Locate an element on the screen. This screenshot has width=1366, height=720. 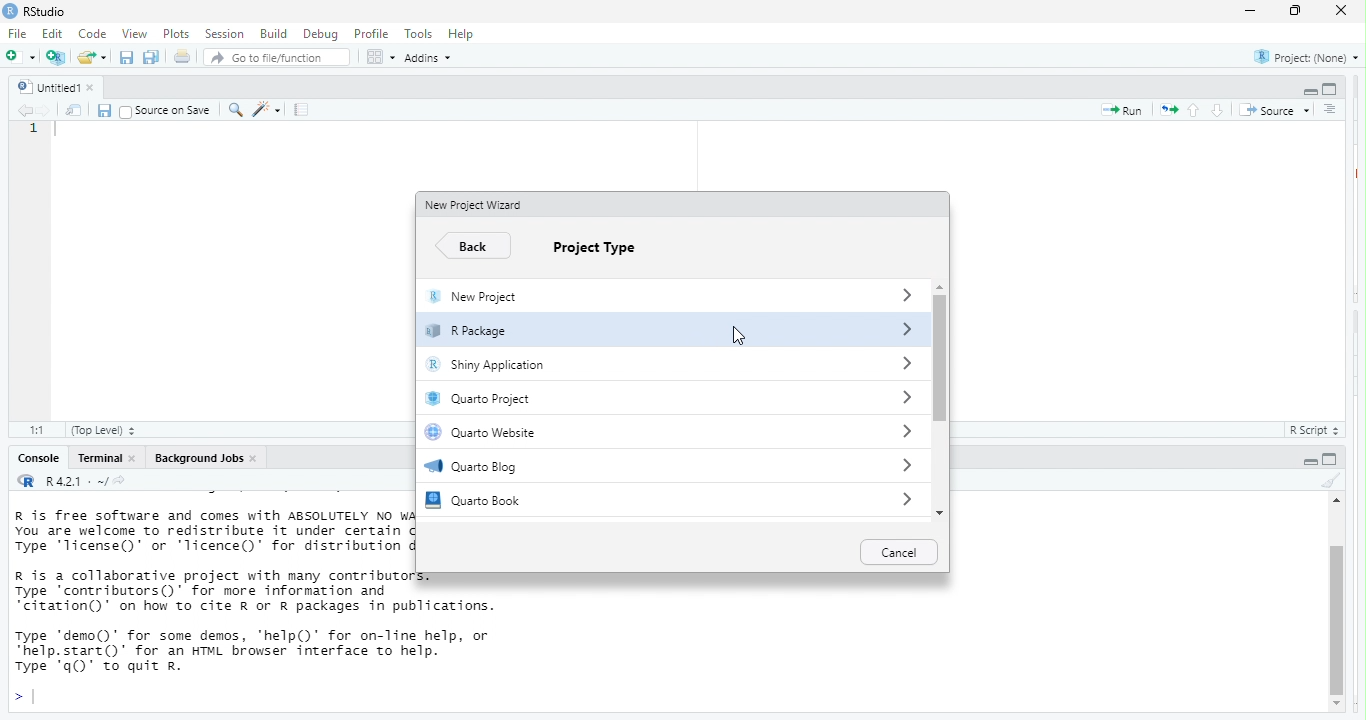
dropdown is located at coordinates (900, 293).